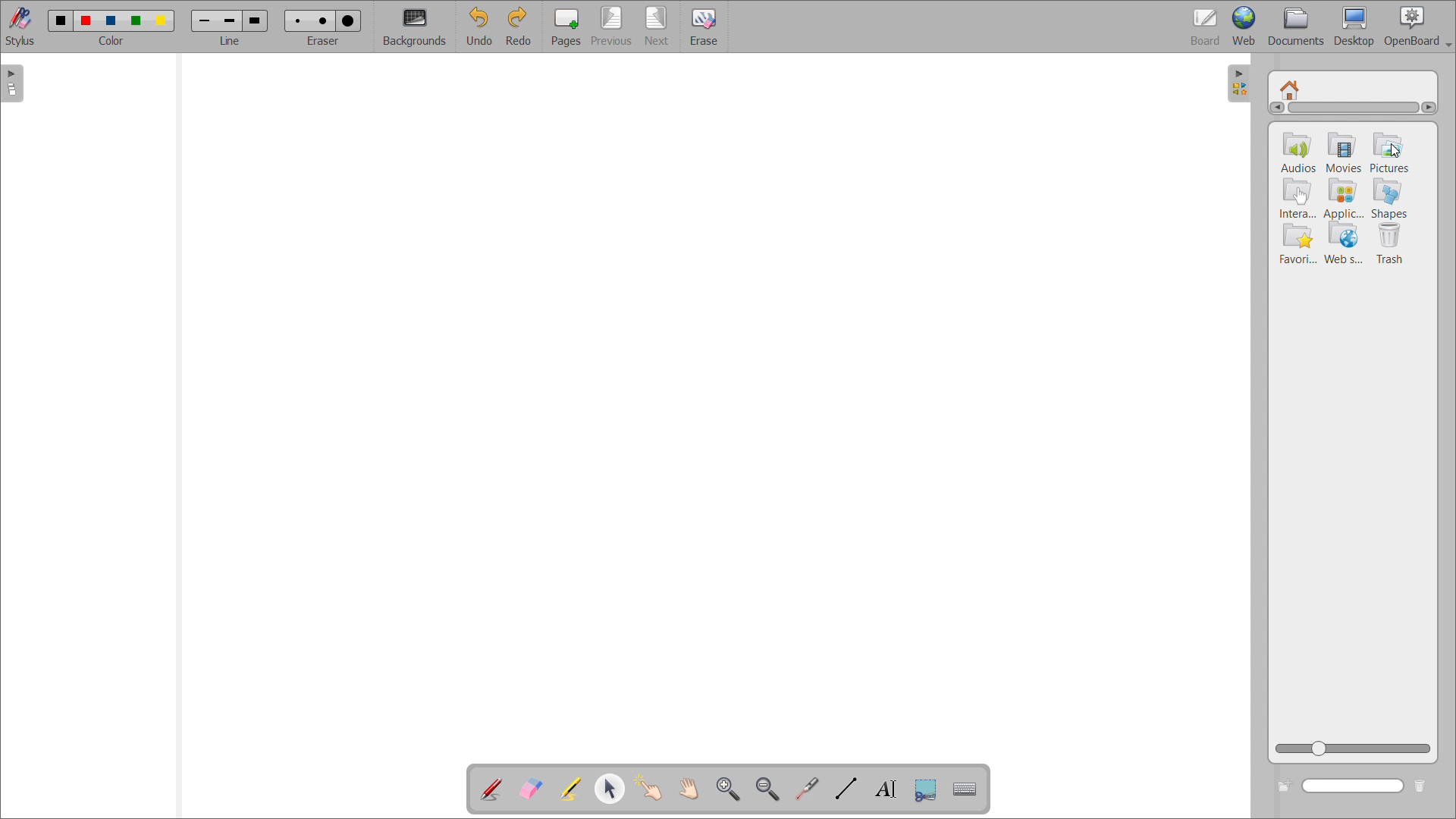  Describe the element at coordinates (518, 27) in the screenshot. I see `redo` at that location.